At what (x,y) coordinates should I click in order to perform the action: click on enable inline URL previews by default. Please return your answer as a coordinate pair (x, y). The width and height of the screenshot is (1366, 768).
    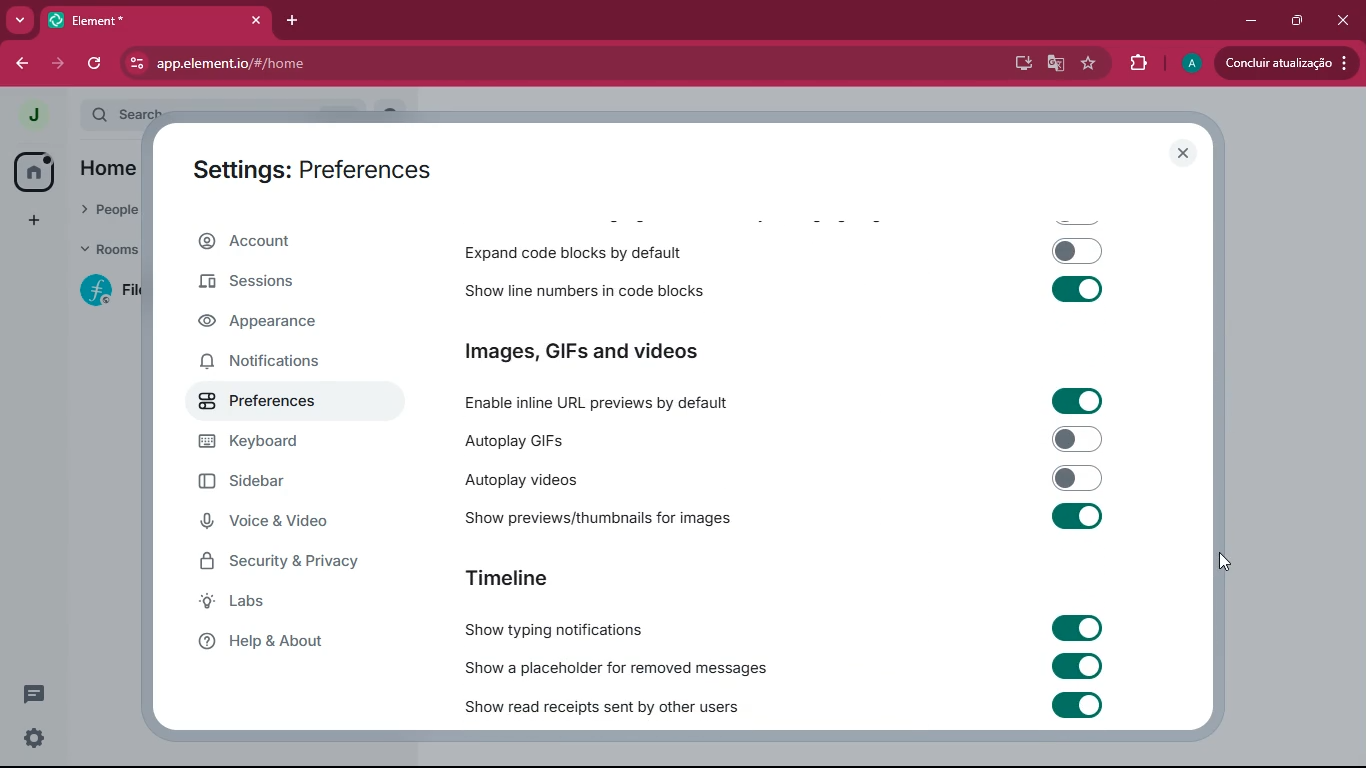
    Looking at the image, I should click on (628, 402).